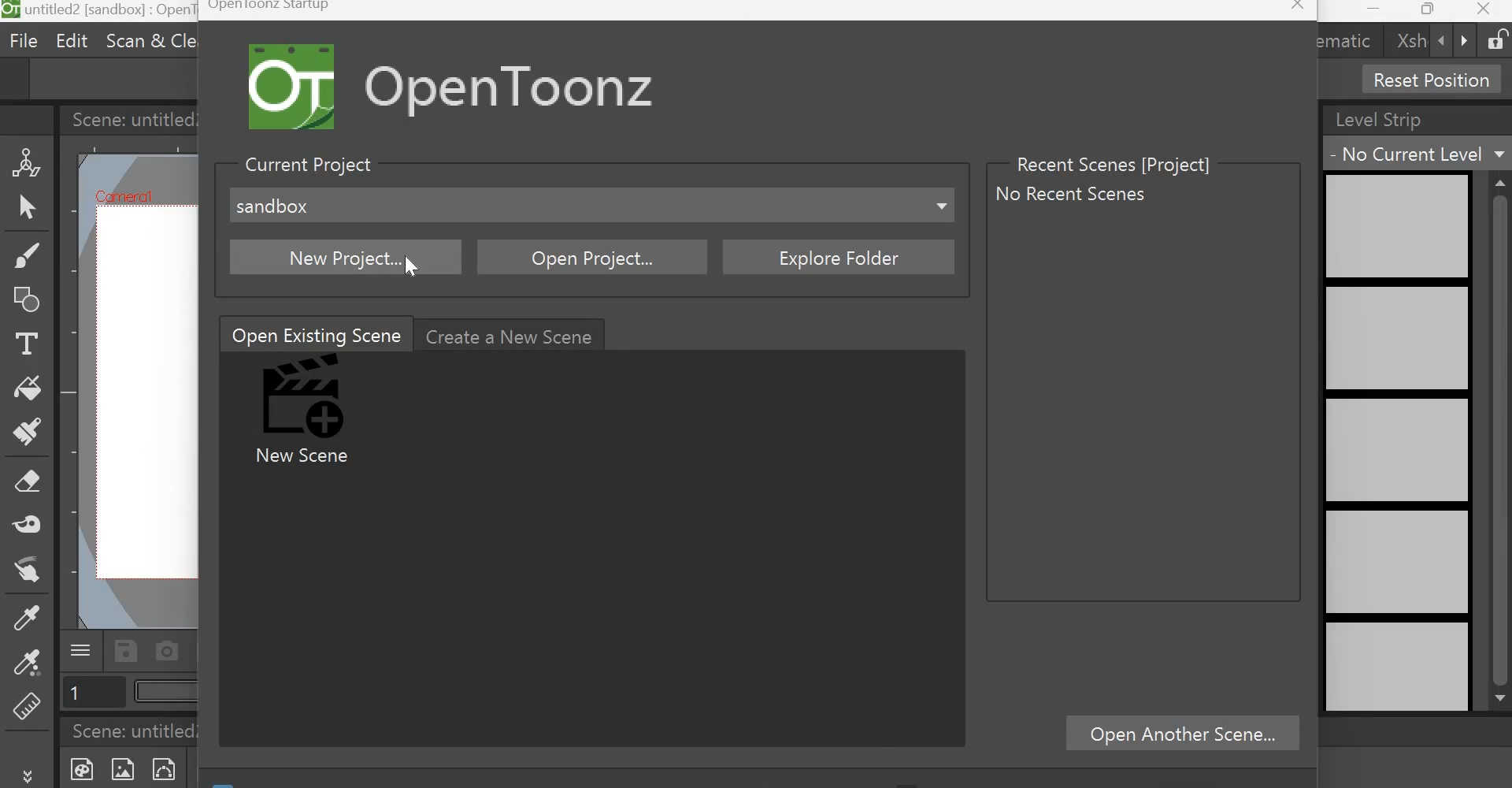 This screenshot has width=1512, height=788. I want to click on xsh, so click(1392, 42).